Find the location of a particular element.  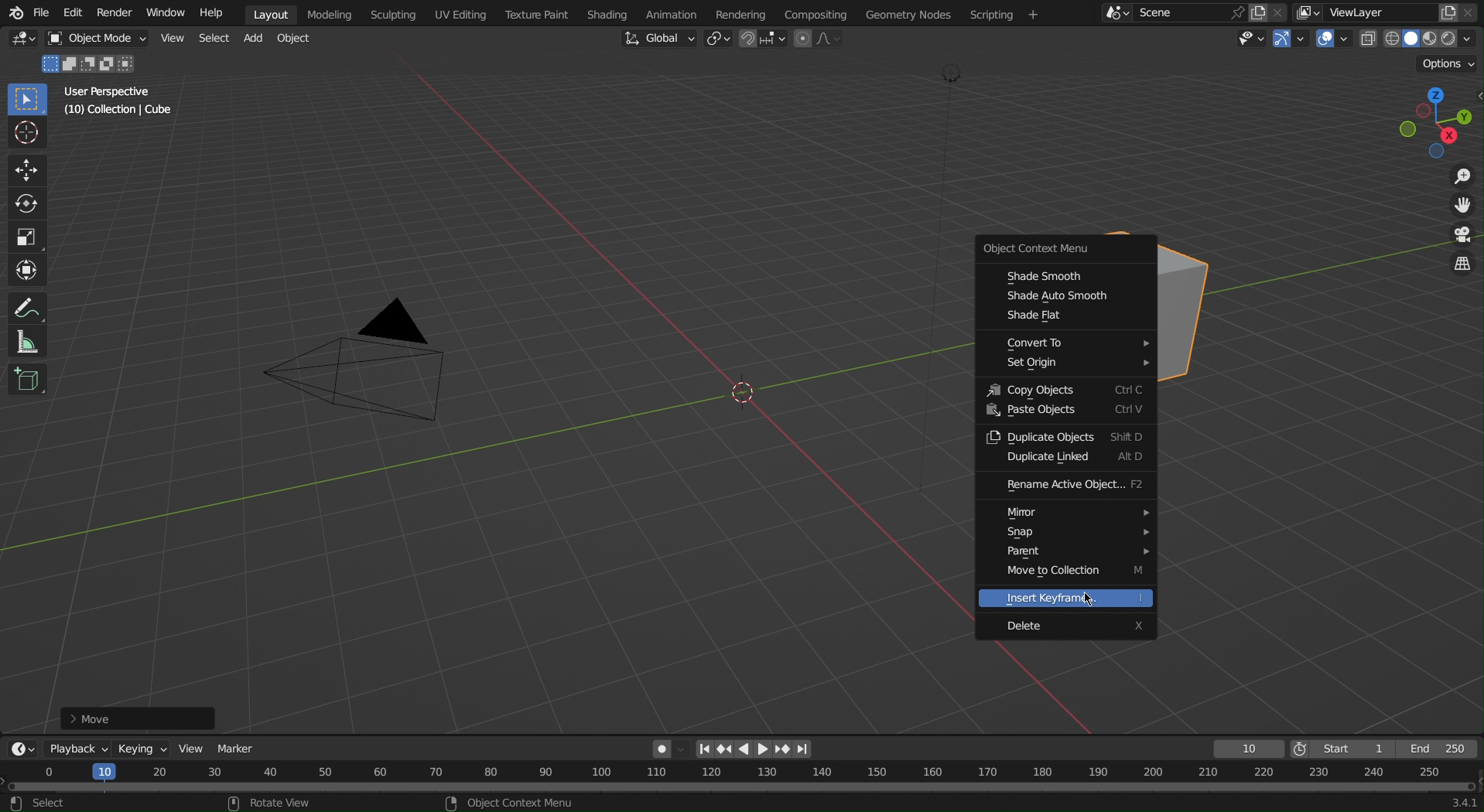

Keying is located at coordinates (139, 746).